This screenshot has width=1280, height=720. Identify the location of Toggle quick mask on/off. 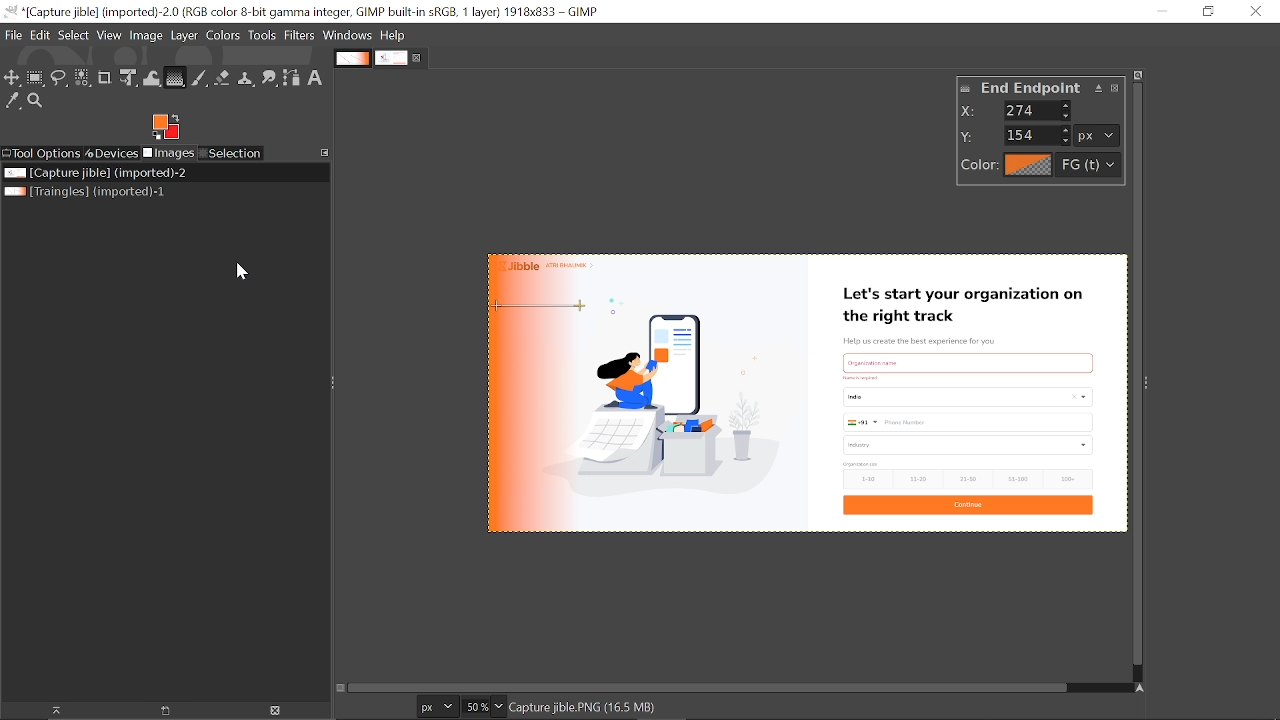
(341, 689).